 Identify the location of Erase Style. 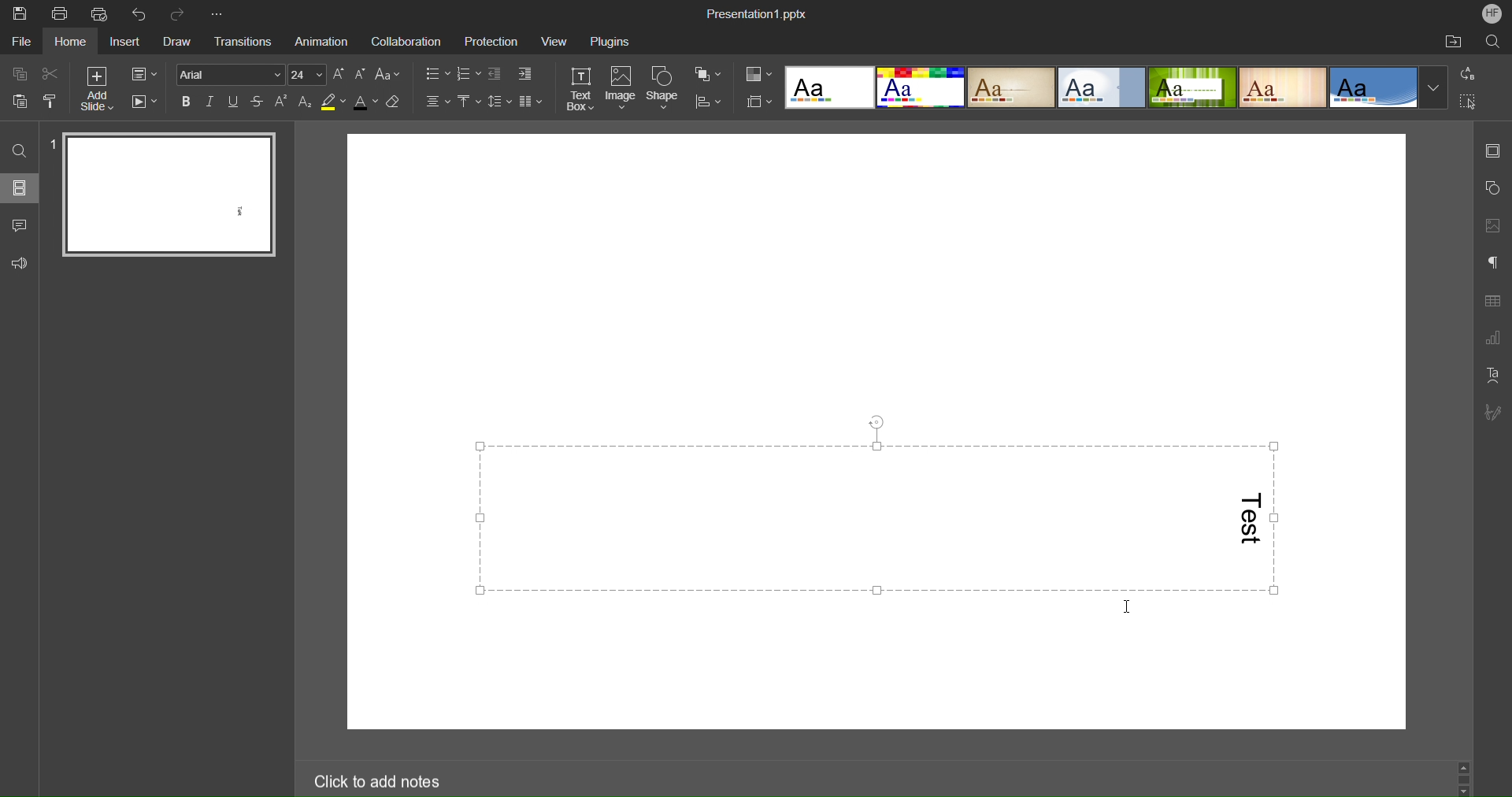
(395, 102).